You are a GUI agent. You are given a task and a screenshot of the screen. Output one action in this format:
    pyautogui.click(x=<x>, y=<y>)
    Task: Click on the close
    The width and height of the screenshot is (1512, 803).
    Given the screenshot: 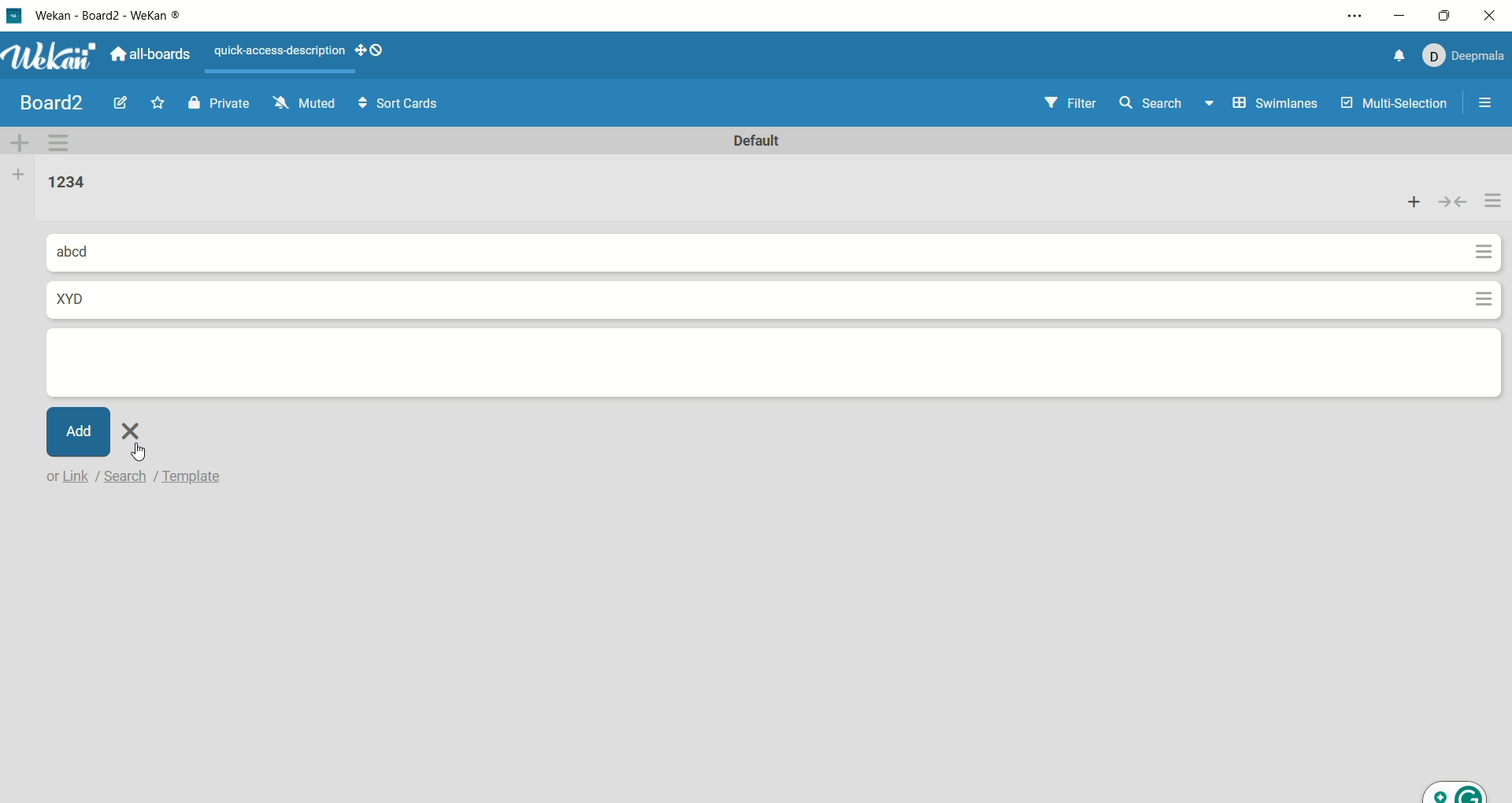 What is the action you would take?
    pyautogui.click(x=1493, y=17)
    